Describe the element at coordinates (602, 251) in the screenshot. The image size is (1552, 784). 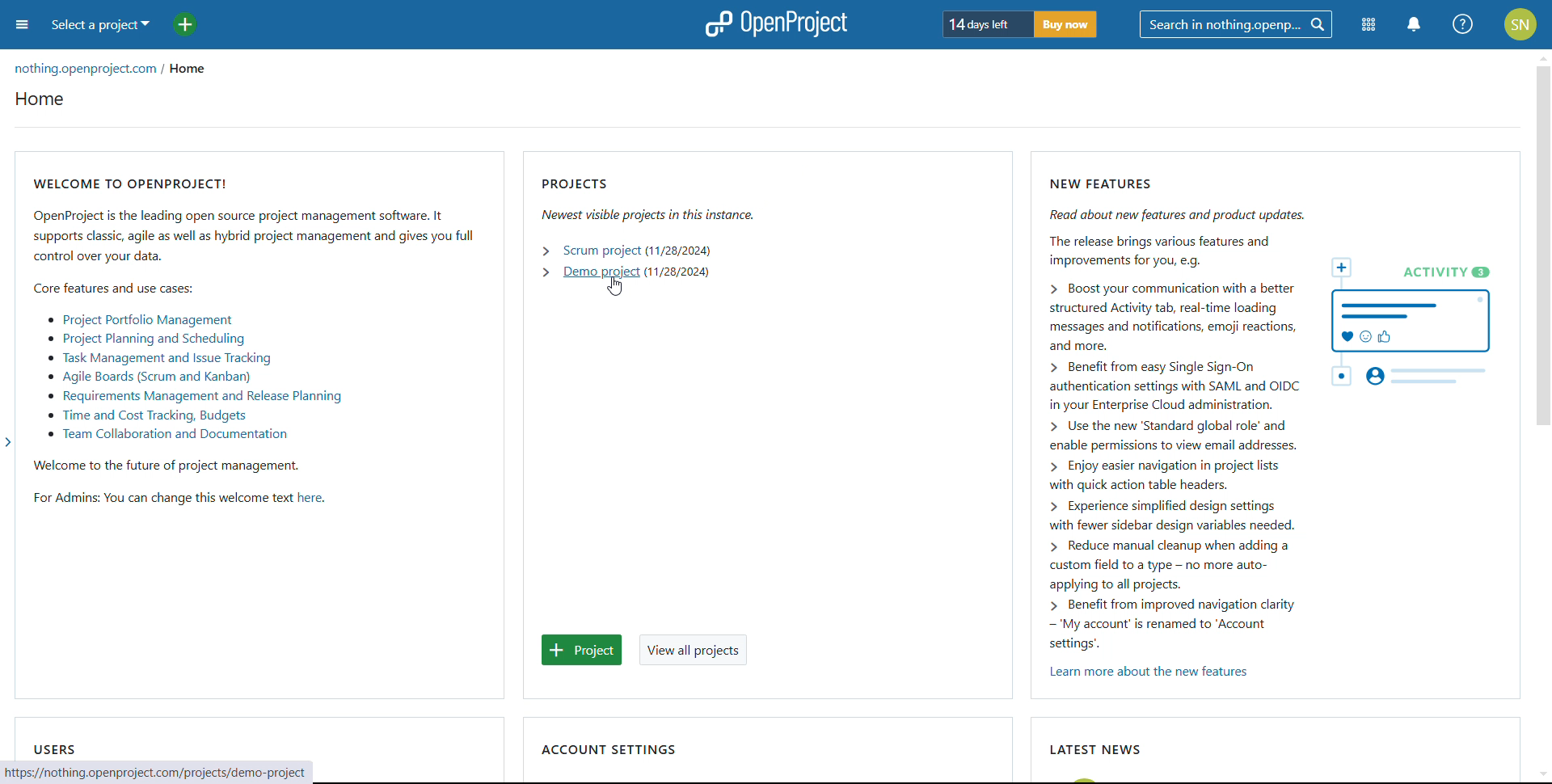
I see `open scrum project` at that location.